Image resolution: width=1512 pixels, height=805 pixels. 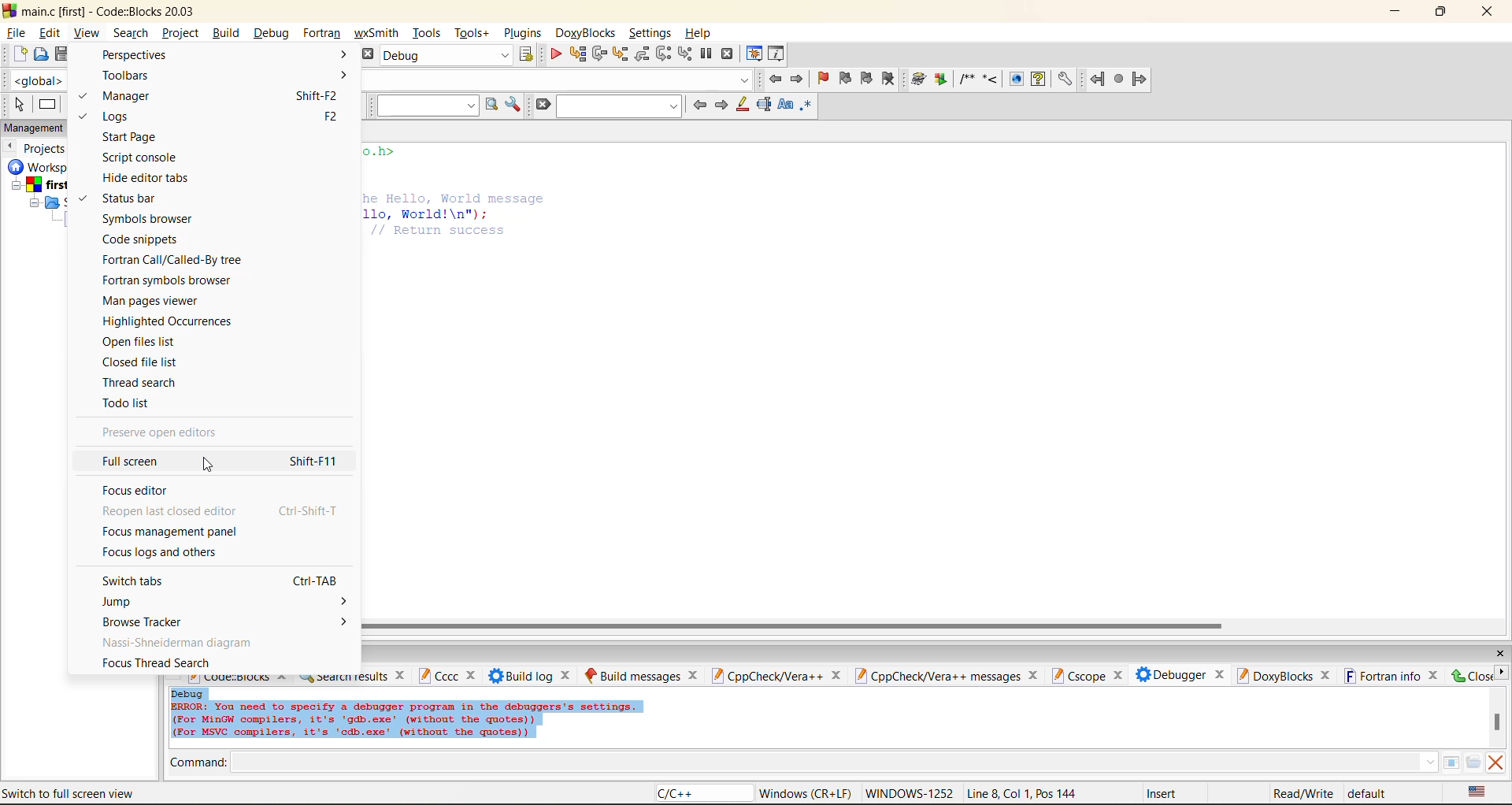 What do you see at coordinates (201, 763) in the screenshot?
I see `command` at bounding box center [201, 763].